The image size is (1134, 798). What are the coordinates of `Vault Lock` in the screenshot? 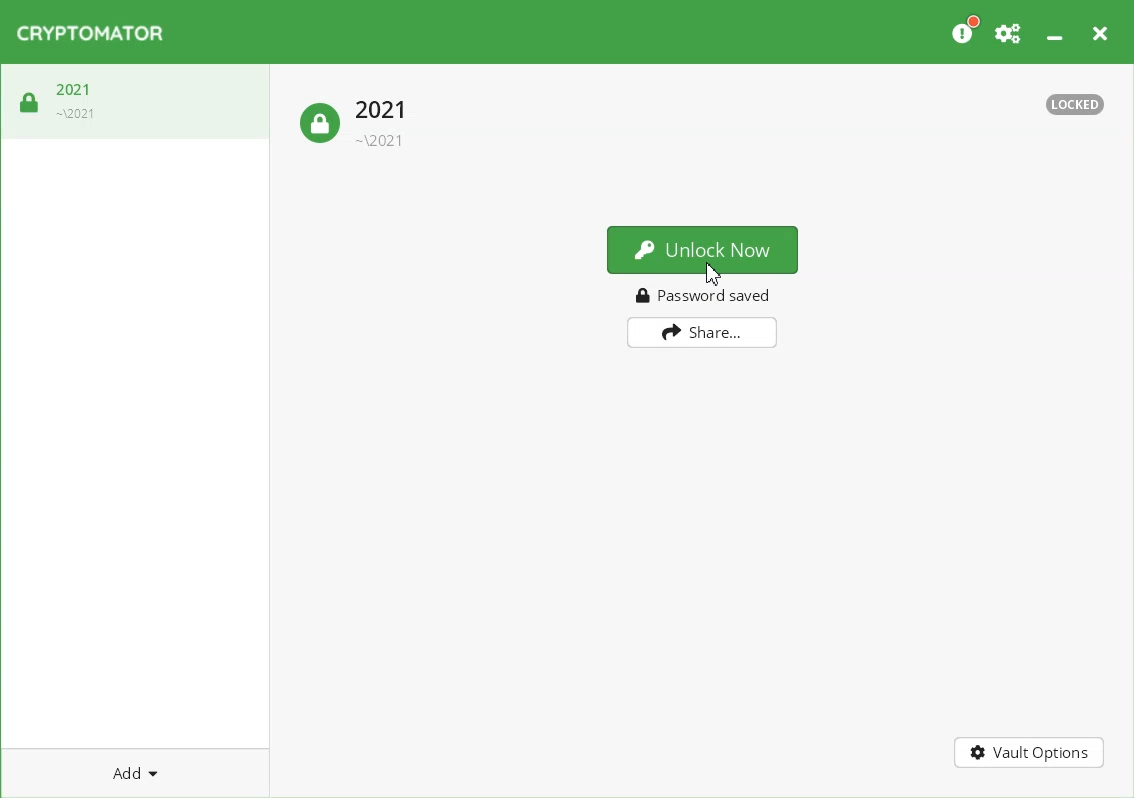 It's located at (134, 102).